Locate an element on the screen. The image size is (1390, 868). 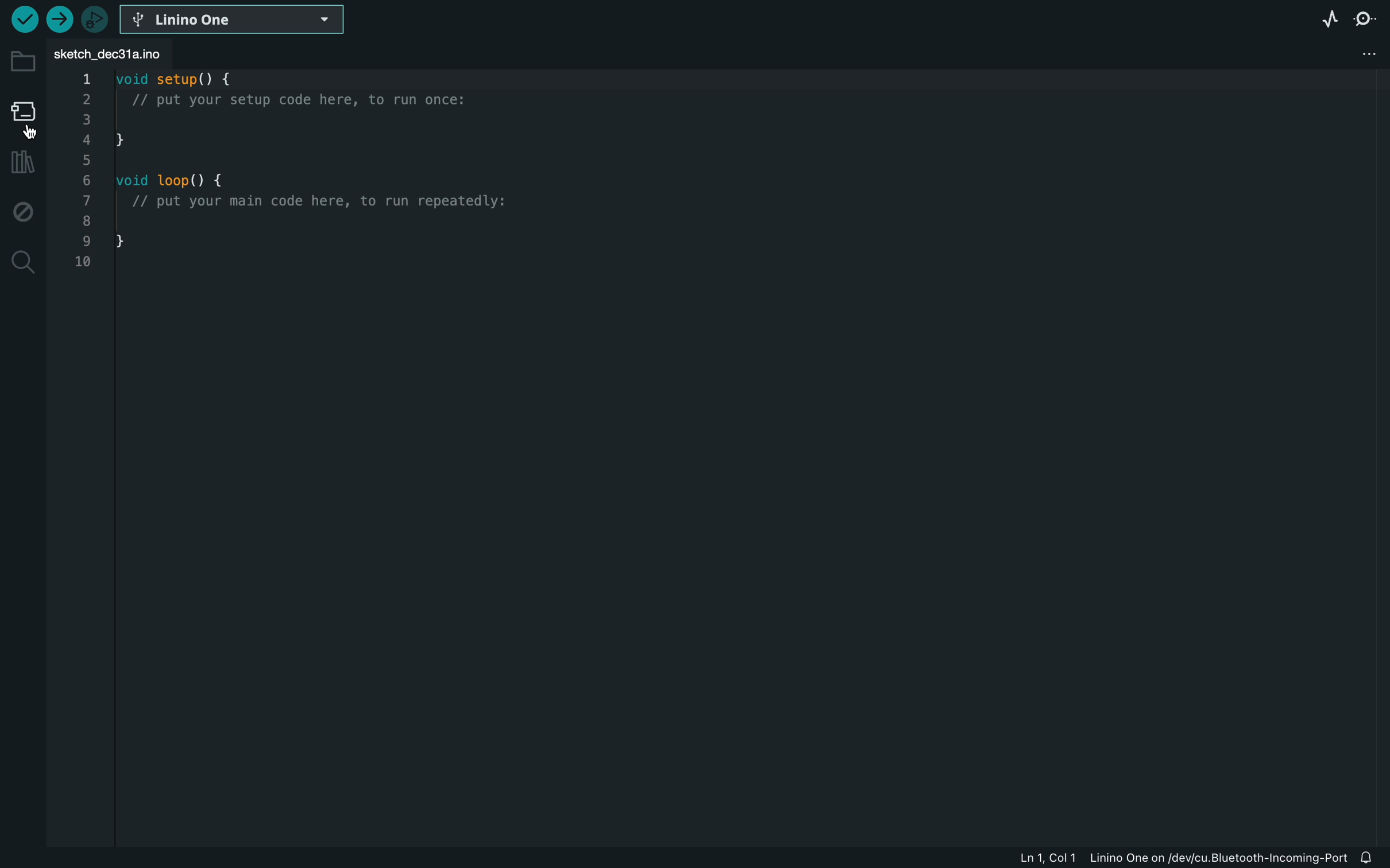
4 is located at coordinates (86, 138).